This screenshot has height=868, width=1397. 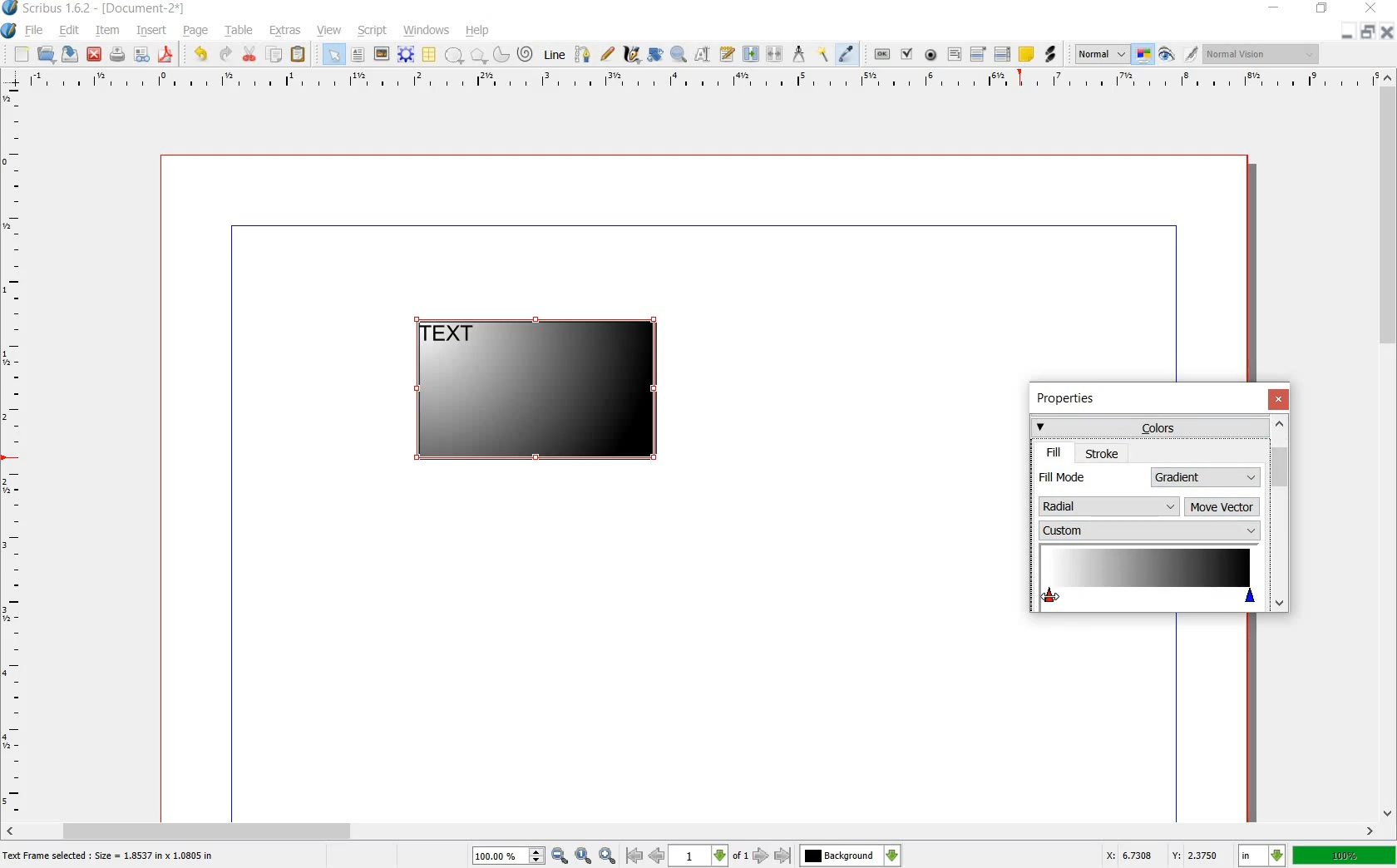 I want to click on edit contents of frame, so click(x=703, y=55).